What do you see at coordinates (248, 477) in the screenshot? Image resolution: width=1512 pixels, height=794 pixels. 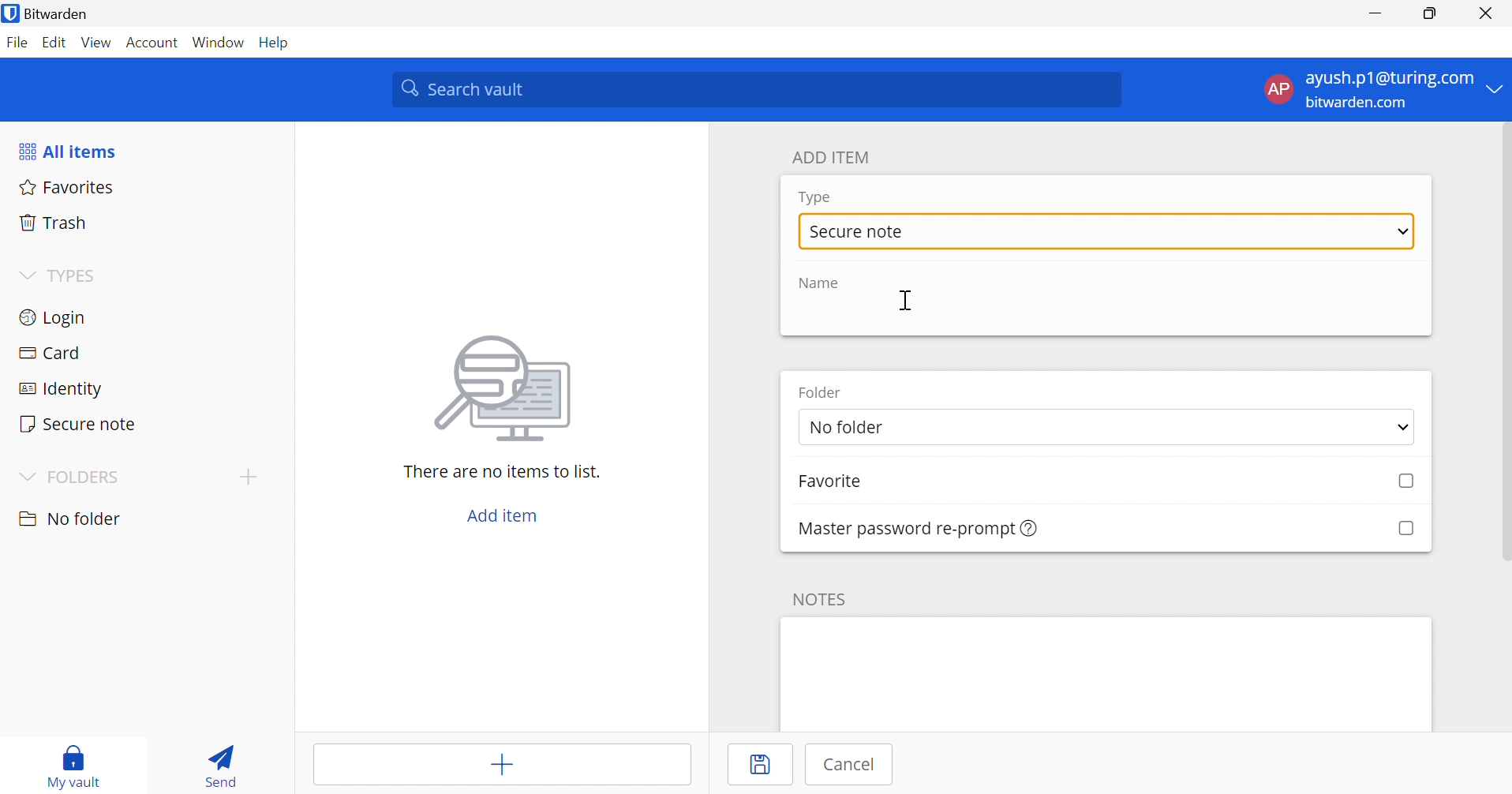 I see `Create folder` at bounding box center [248, 477].